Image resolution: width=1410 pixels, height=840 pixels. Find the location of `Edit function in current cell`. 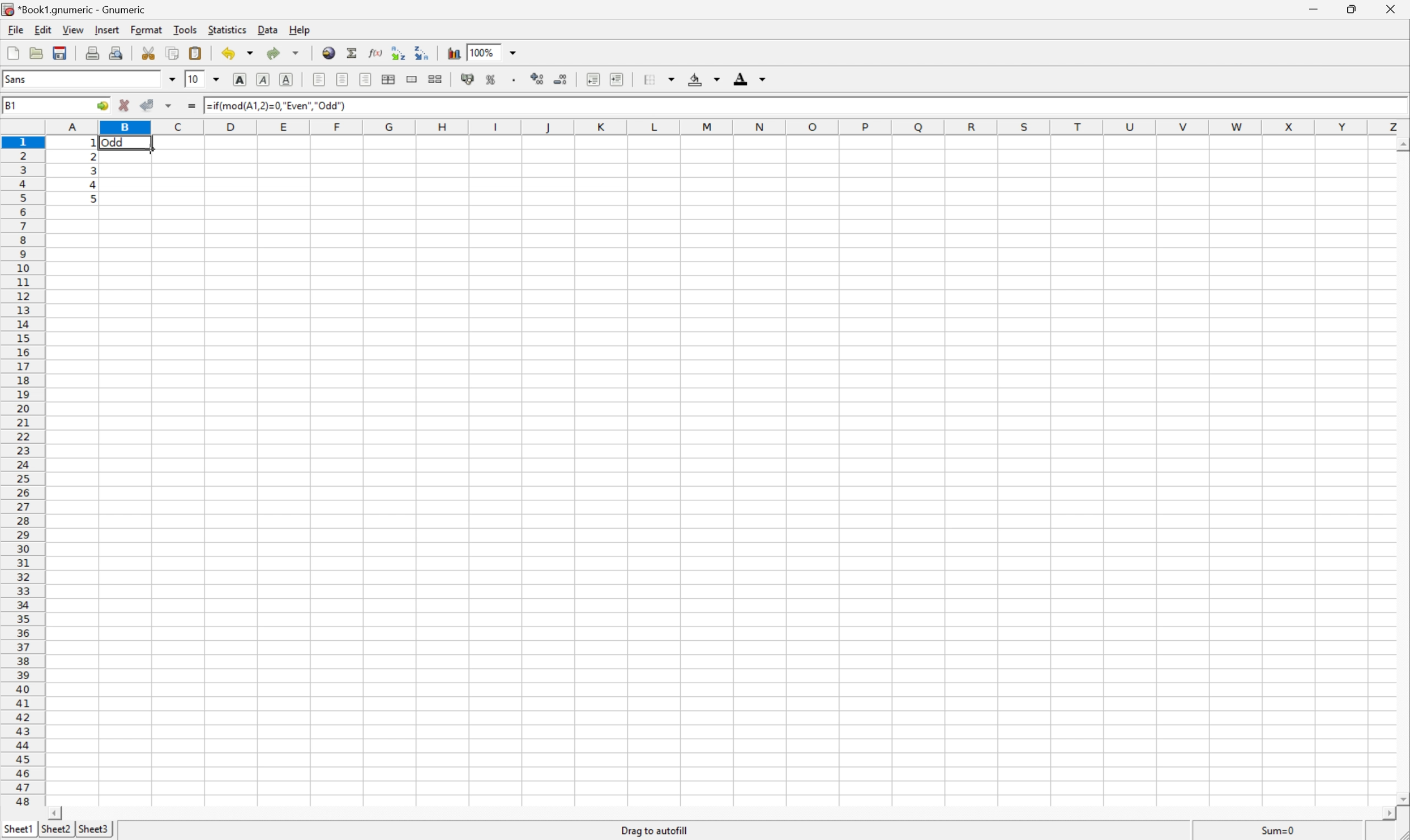

Edit function in current cell is located at coordinates (375, 54).